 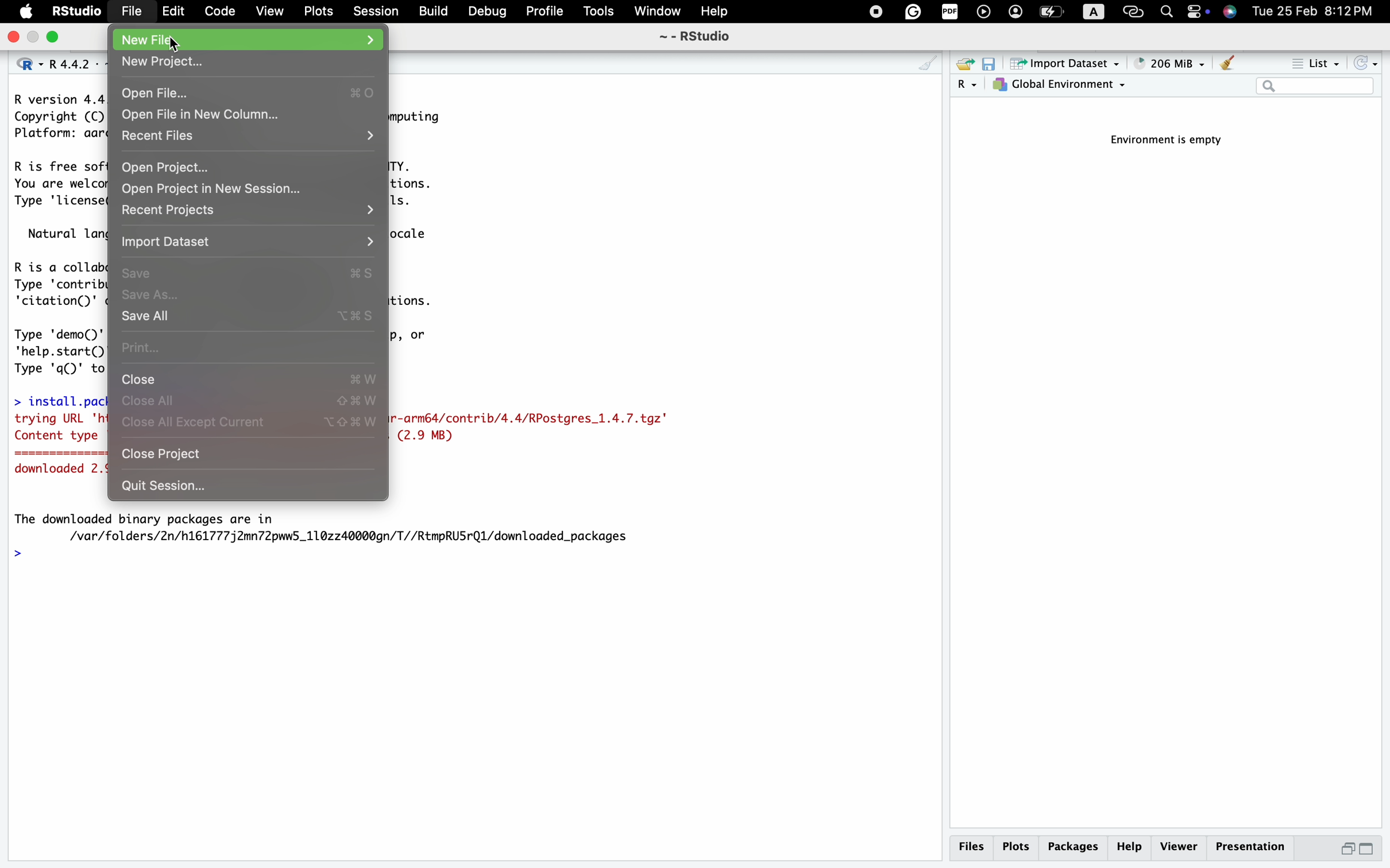 What do you see at coordinates (250, 269) in the screenshot?
I see `save` at bounding box center [250, 269].